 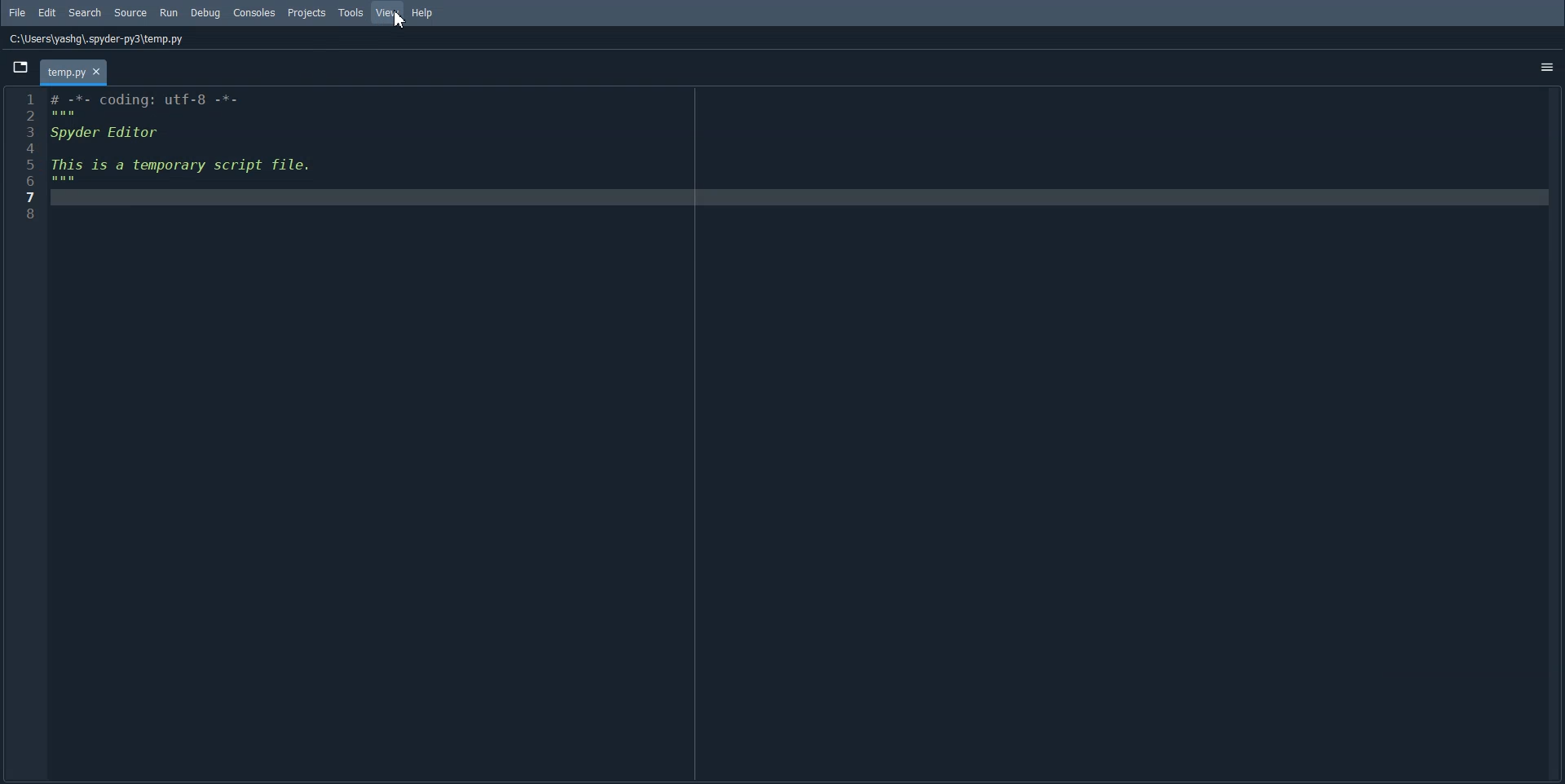 What do you see at coordinates (170, 11) in the screenshot?
I see `Run` at bounding box center [170, 11].